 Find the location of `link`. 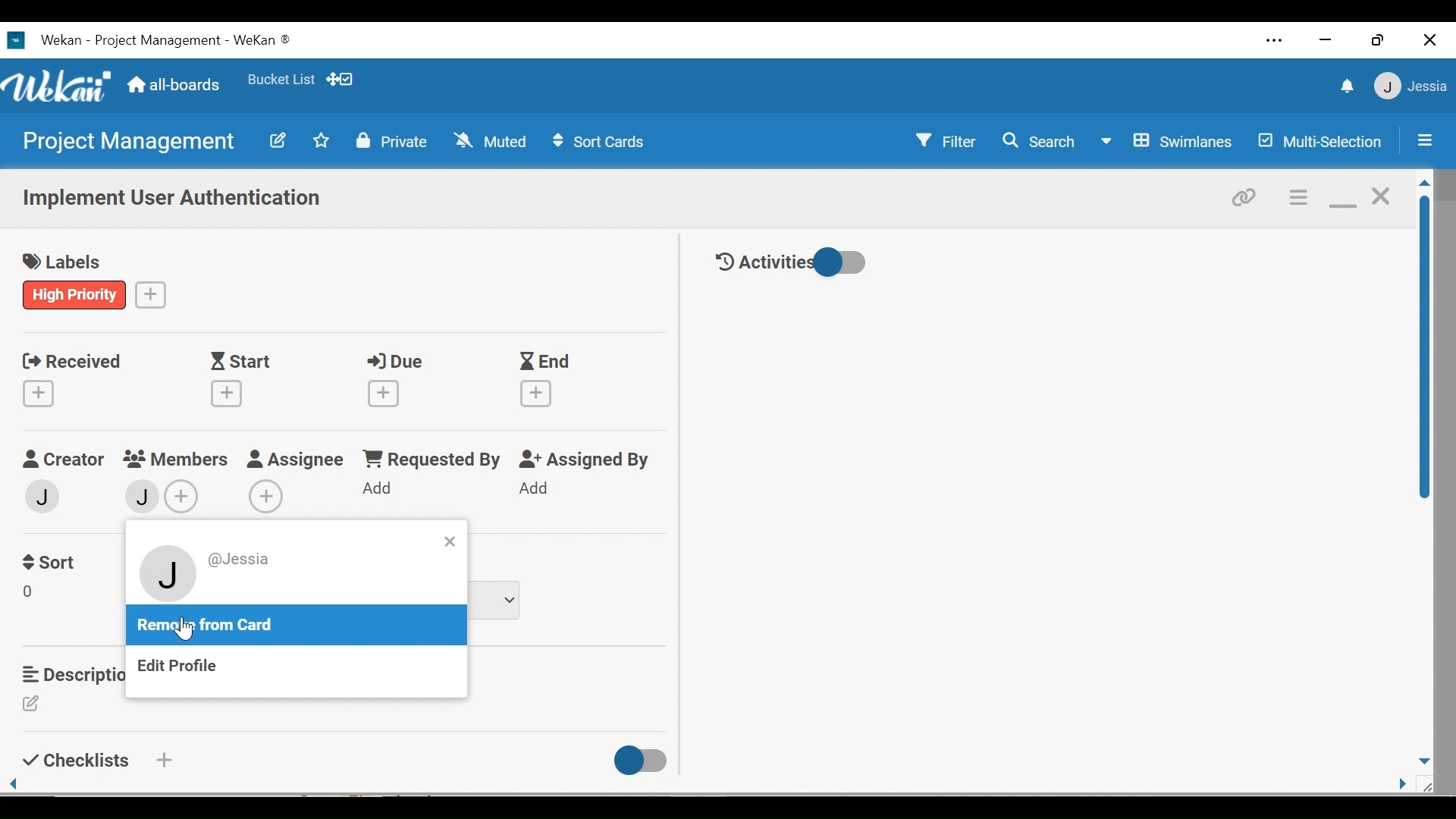

link is located at coordinates (1247, 196).